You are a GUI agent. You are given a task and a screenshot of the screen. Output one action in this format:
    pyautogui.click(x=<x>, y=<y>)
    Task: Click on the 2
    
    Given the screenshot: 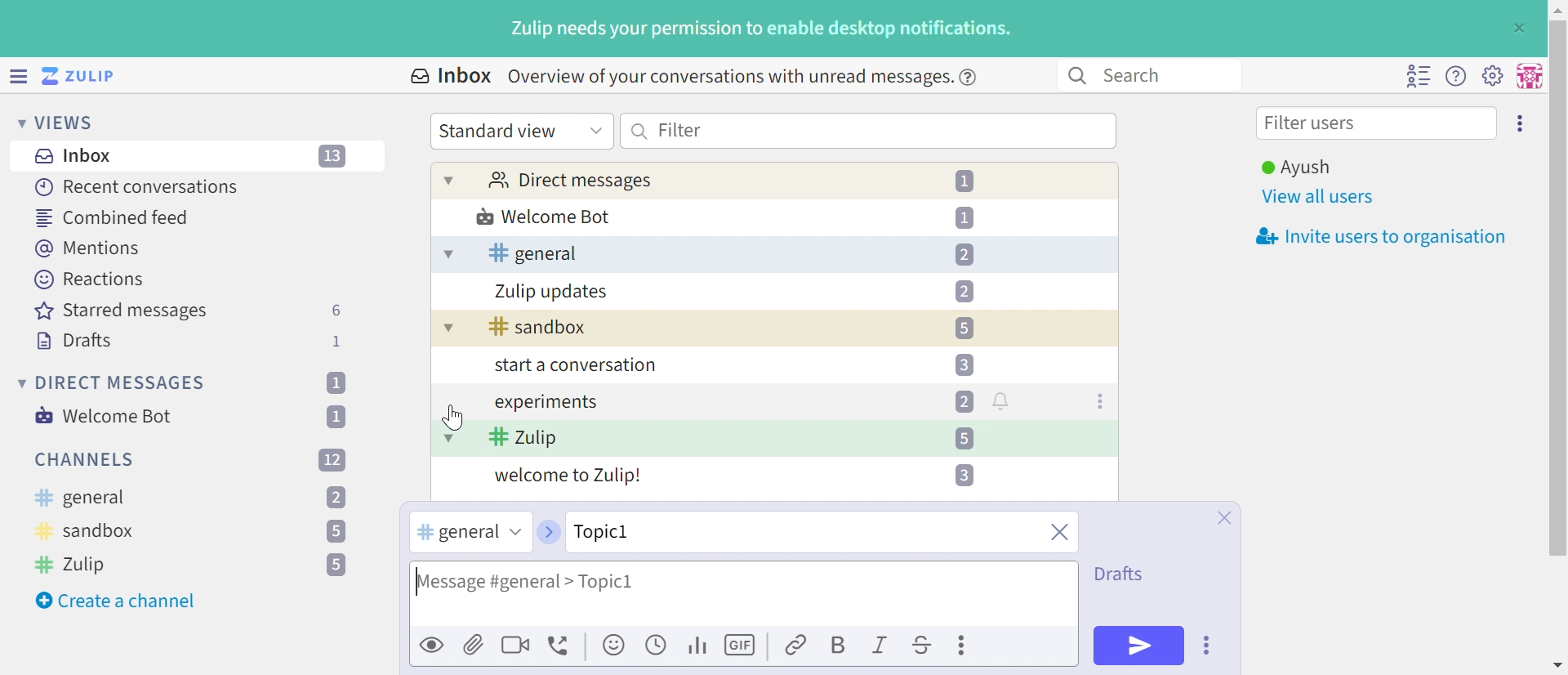 What is the action you would take?
    pyautogui.click(x=336, y=498)
    